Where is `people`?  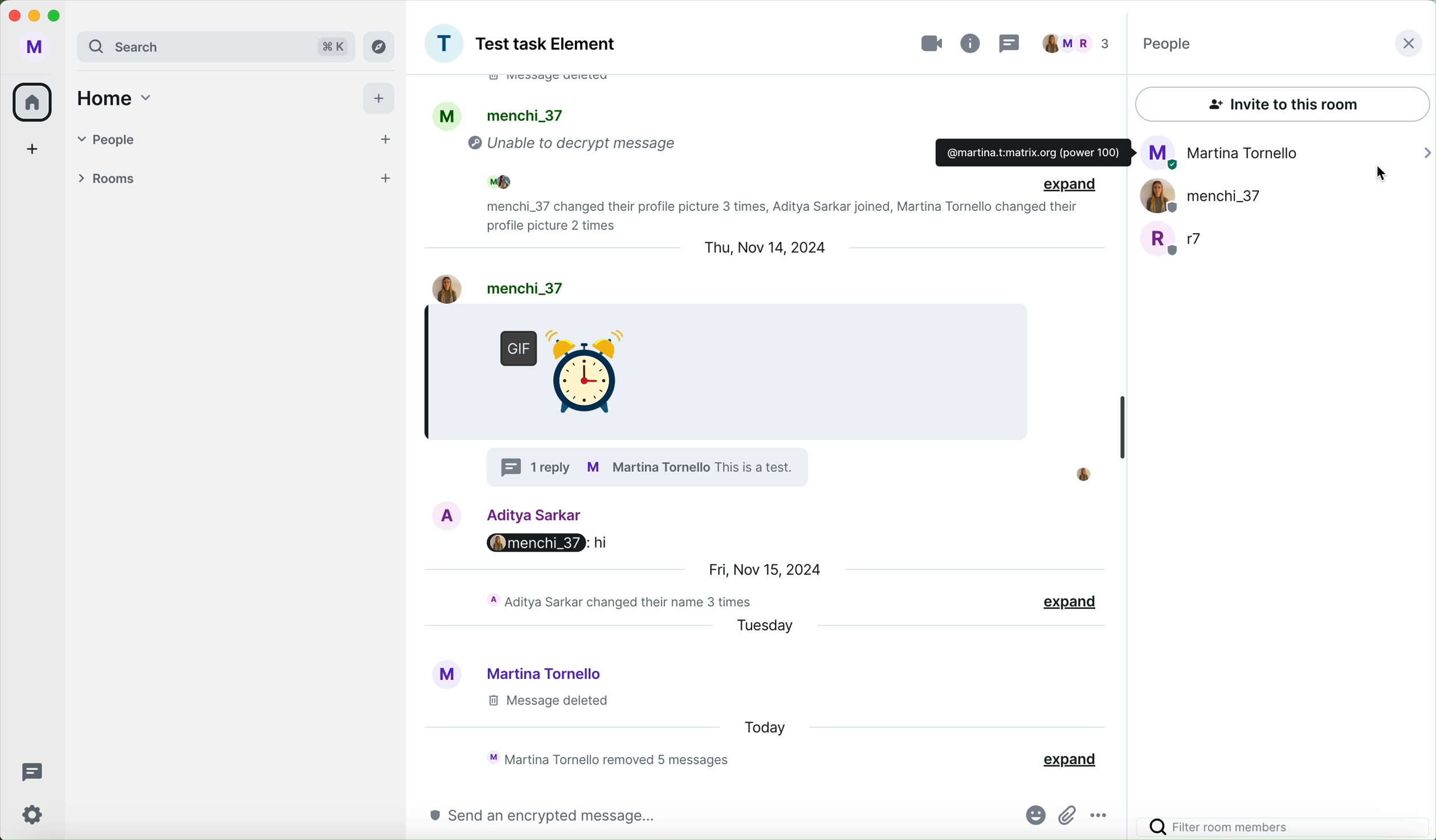
people is located at coordinates (206, 137).